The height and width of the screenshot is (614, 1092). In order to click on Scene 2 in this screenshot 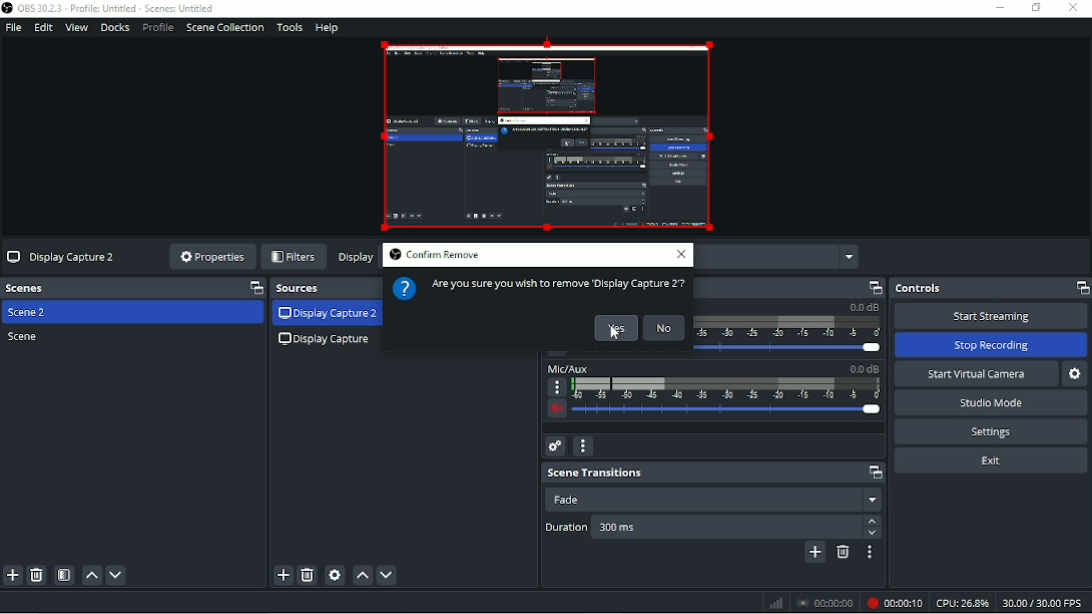, I will do `click(31, 313)`.